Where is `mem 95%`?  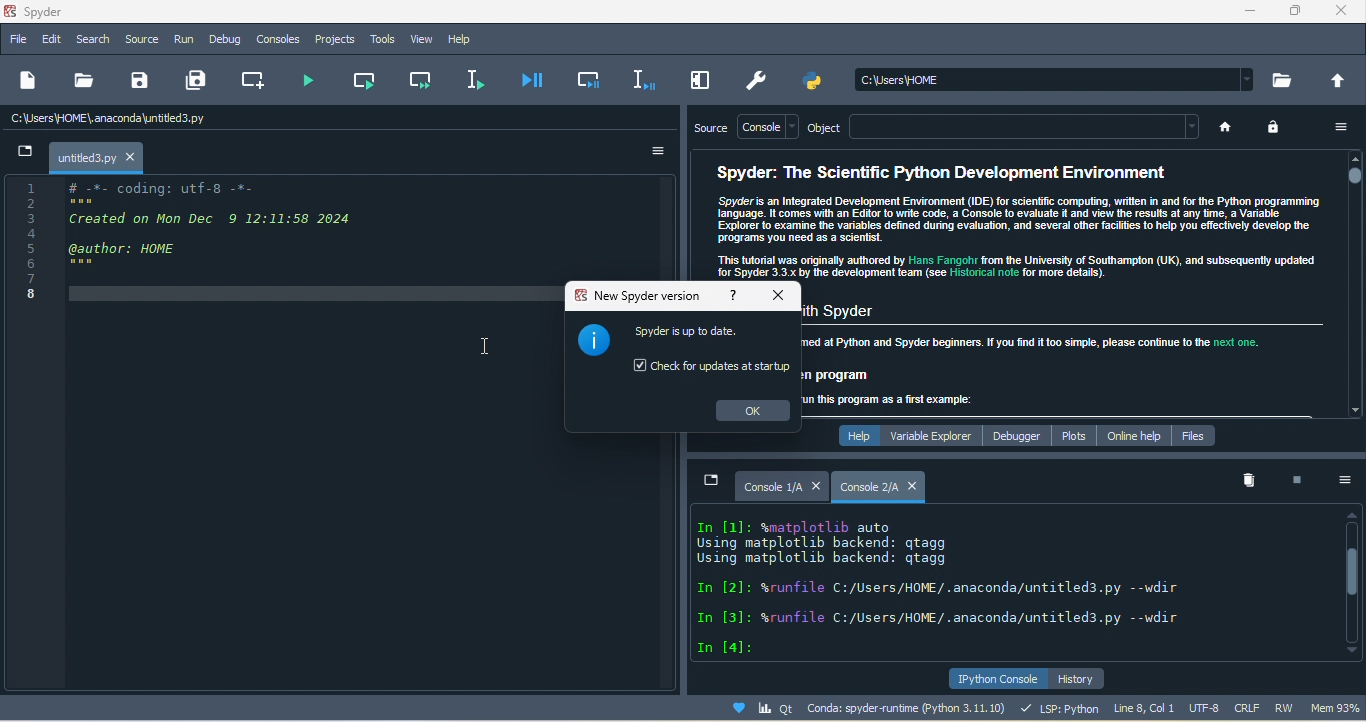 mem 95% is located at coordinates (1335, 709).